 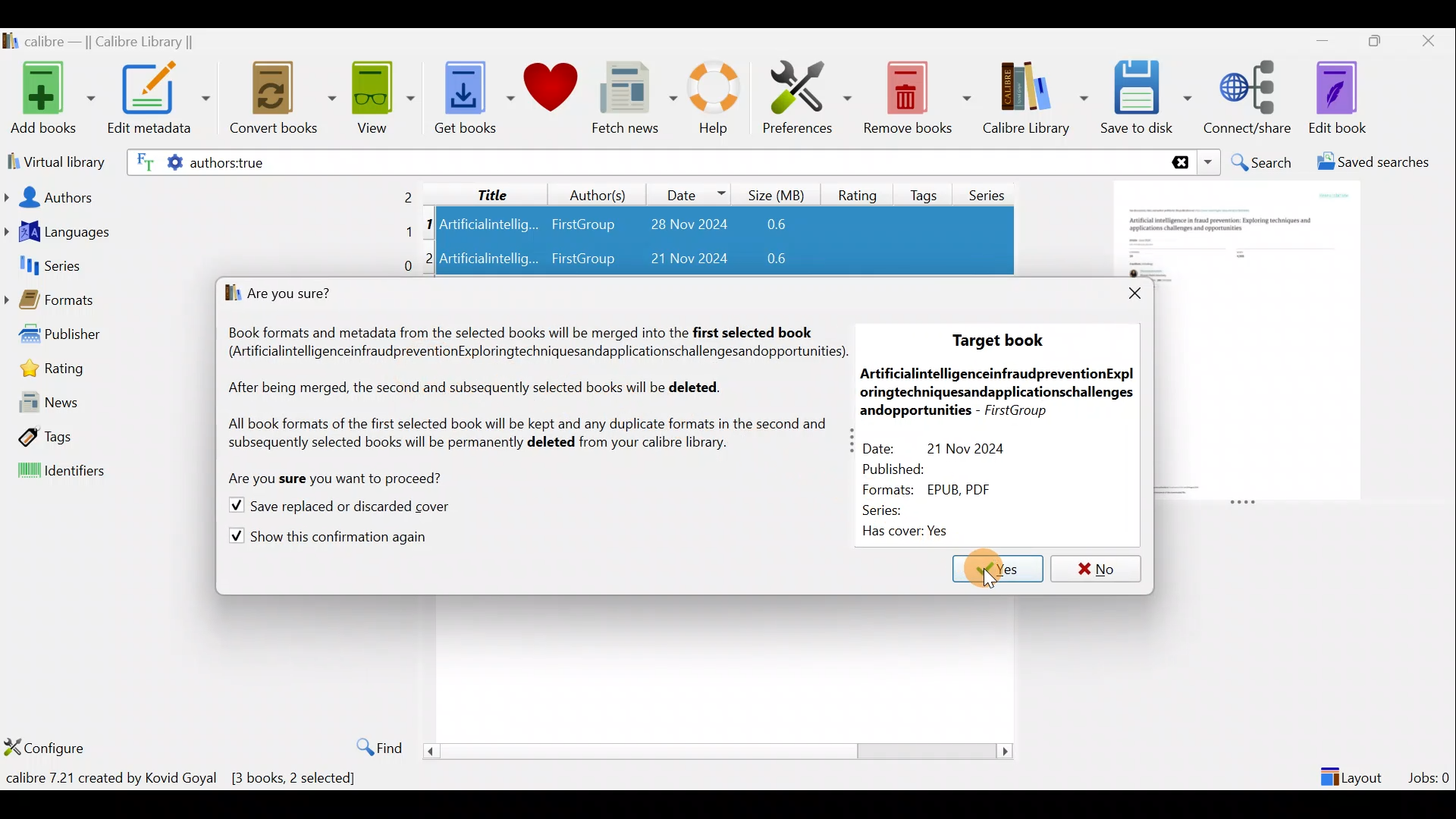 What do you see at coordinates (283, 99) in the screenshot?
I see `Convert books` at bounding box center [283, 99].